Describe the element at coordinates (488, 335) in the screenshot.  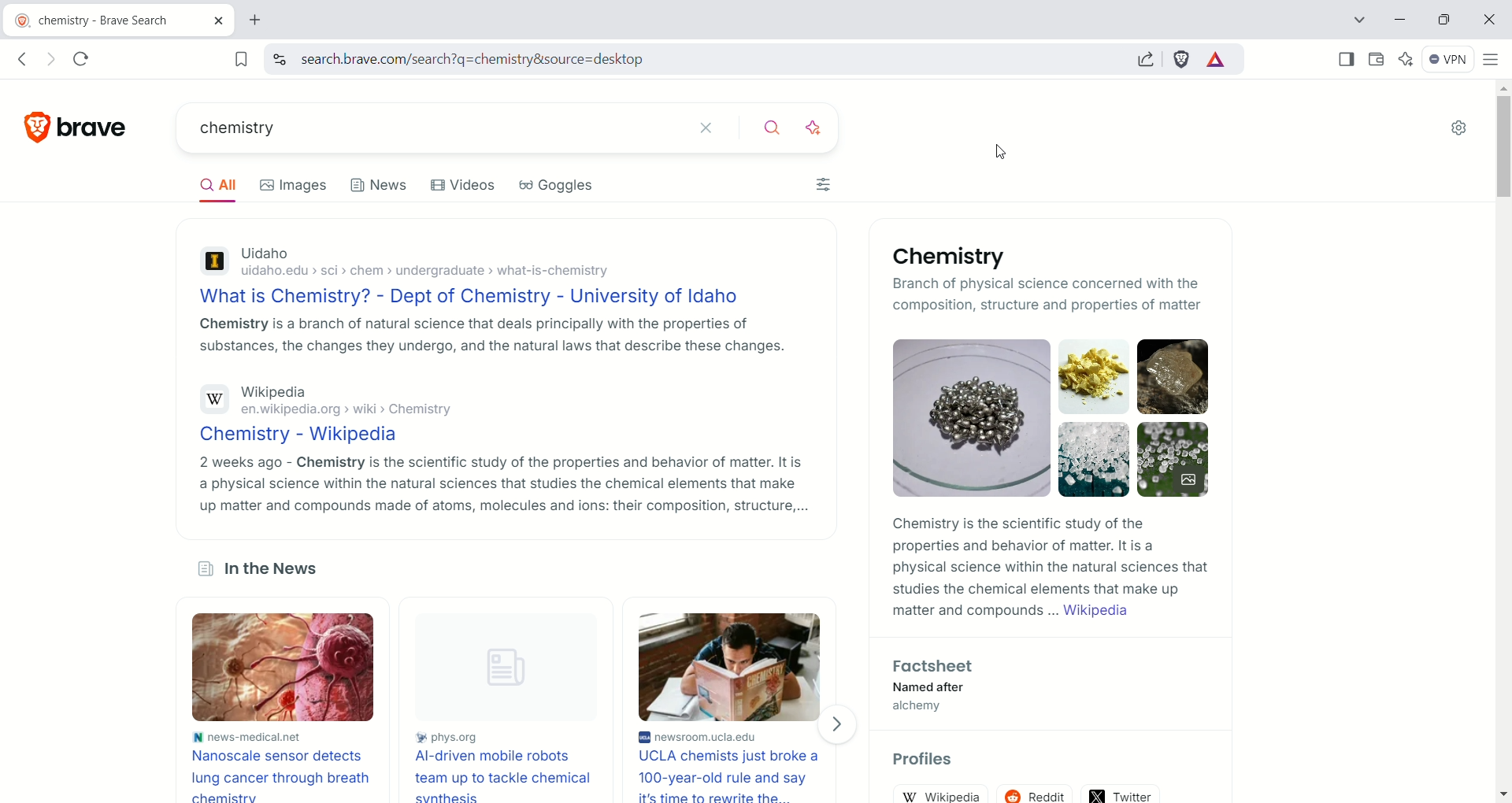
I see `Chemistry is a branch of natural science that deals principally with the properties of substances, the changes they undergo, and the natural laws that describe these changes.` at that location.